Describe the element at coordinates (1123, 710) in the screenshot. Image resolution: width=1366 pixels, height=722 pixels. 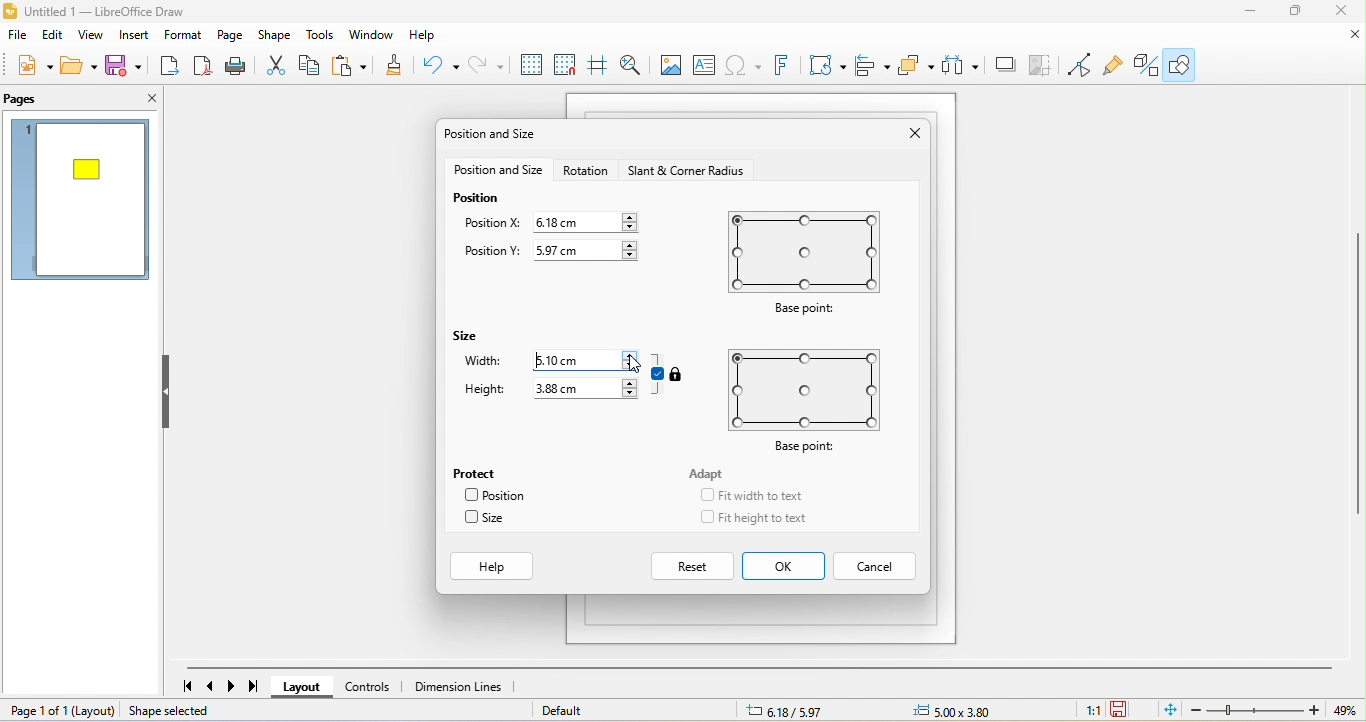
I see `since the last save` at that location.